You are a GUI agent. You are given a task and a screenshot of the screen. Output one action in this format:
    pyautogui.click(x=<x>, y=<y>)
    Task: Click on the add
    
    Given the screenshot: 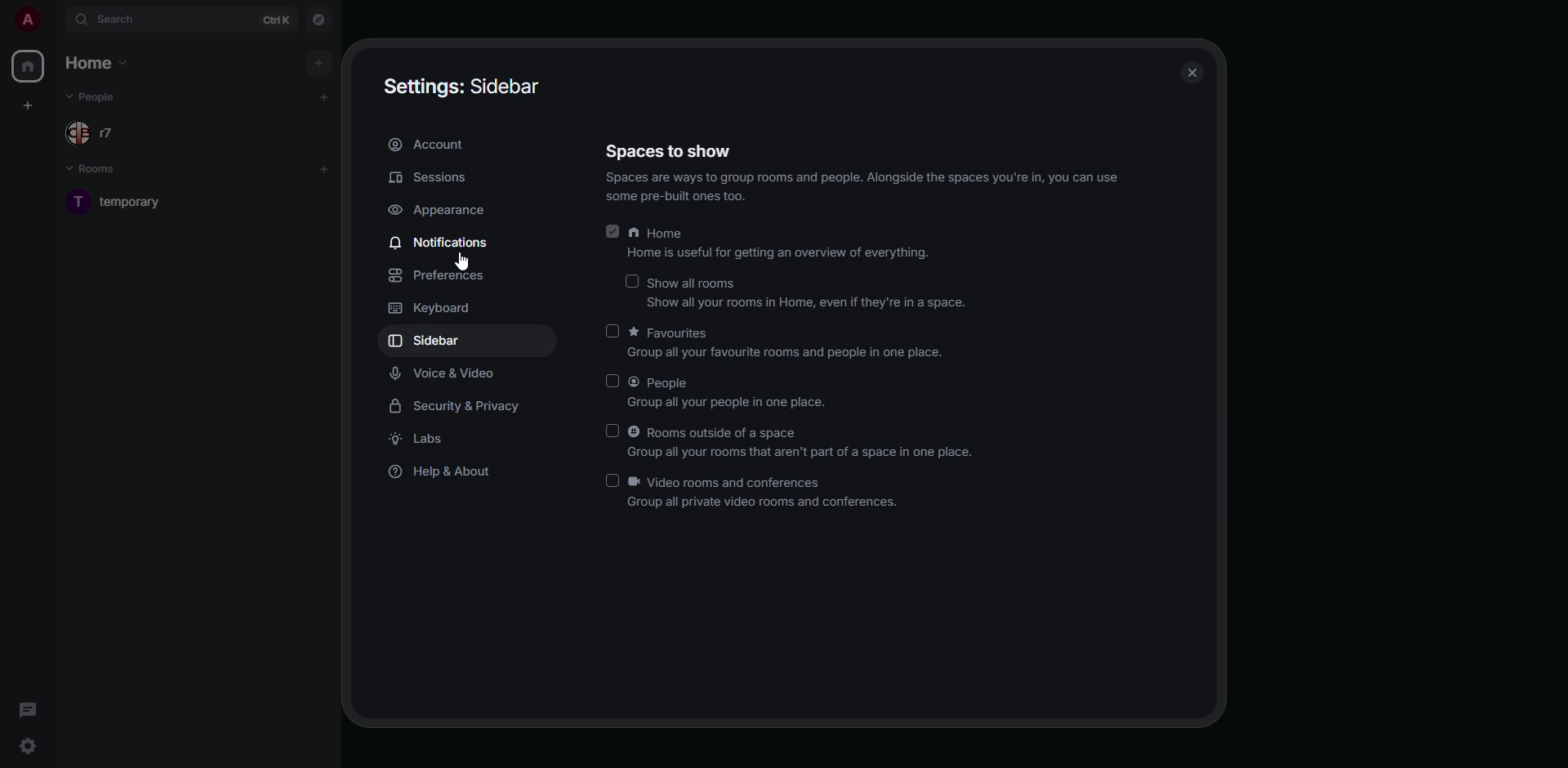 What is the action you would take?
    pyautogui.click(x=322, y=96)
    